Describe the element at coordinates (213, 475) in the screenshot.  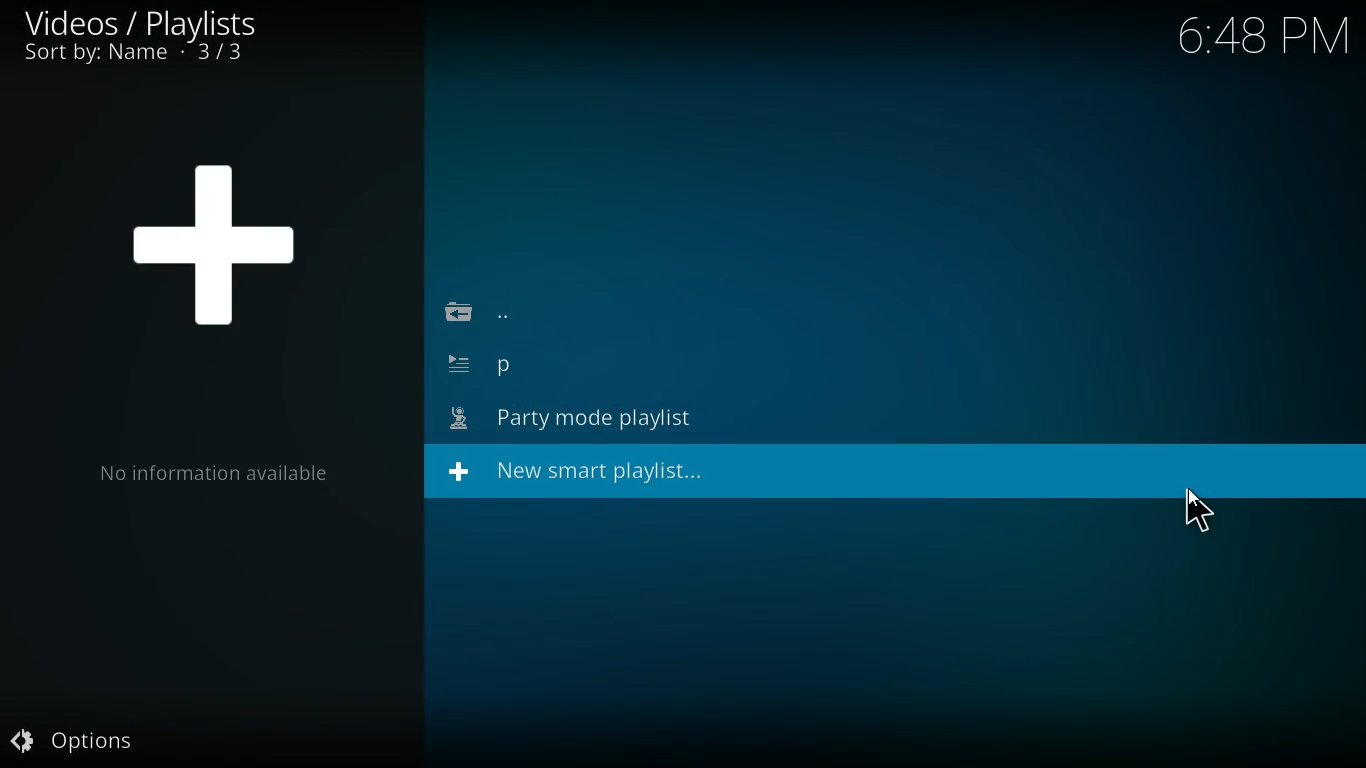
I see `no information available` at that location.